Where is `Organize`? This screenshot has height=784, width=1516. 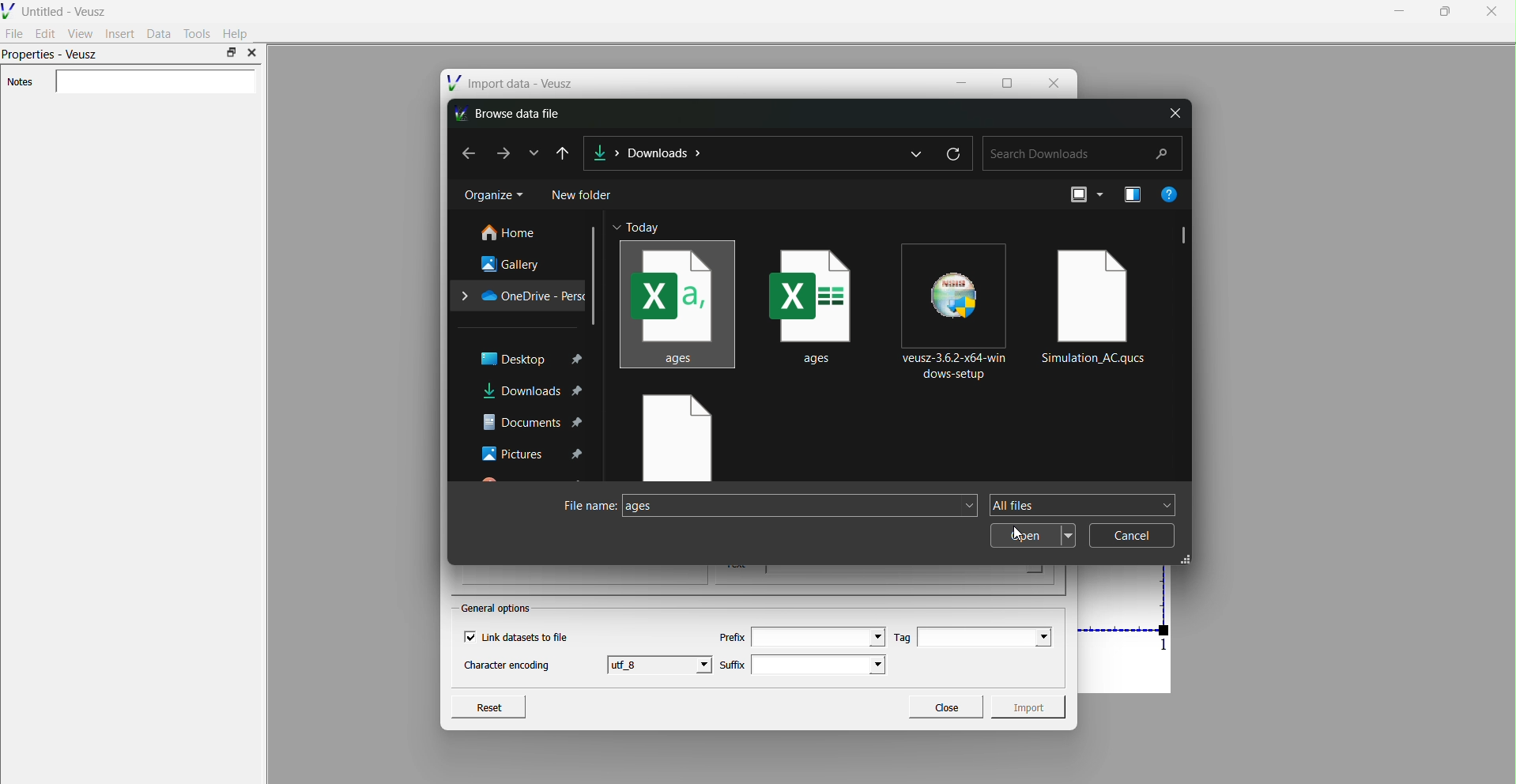 Organize is located at coordinates (492, 195).